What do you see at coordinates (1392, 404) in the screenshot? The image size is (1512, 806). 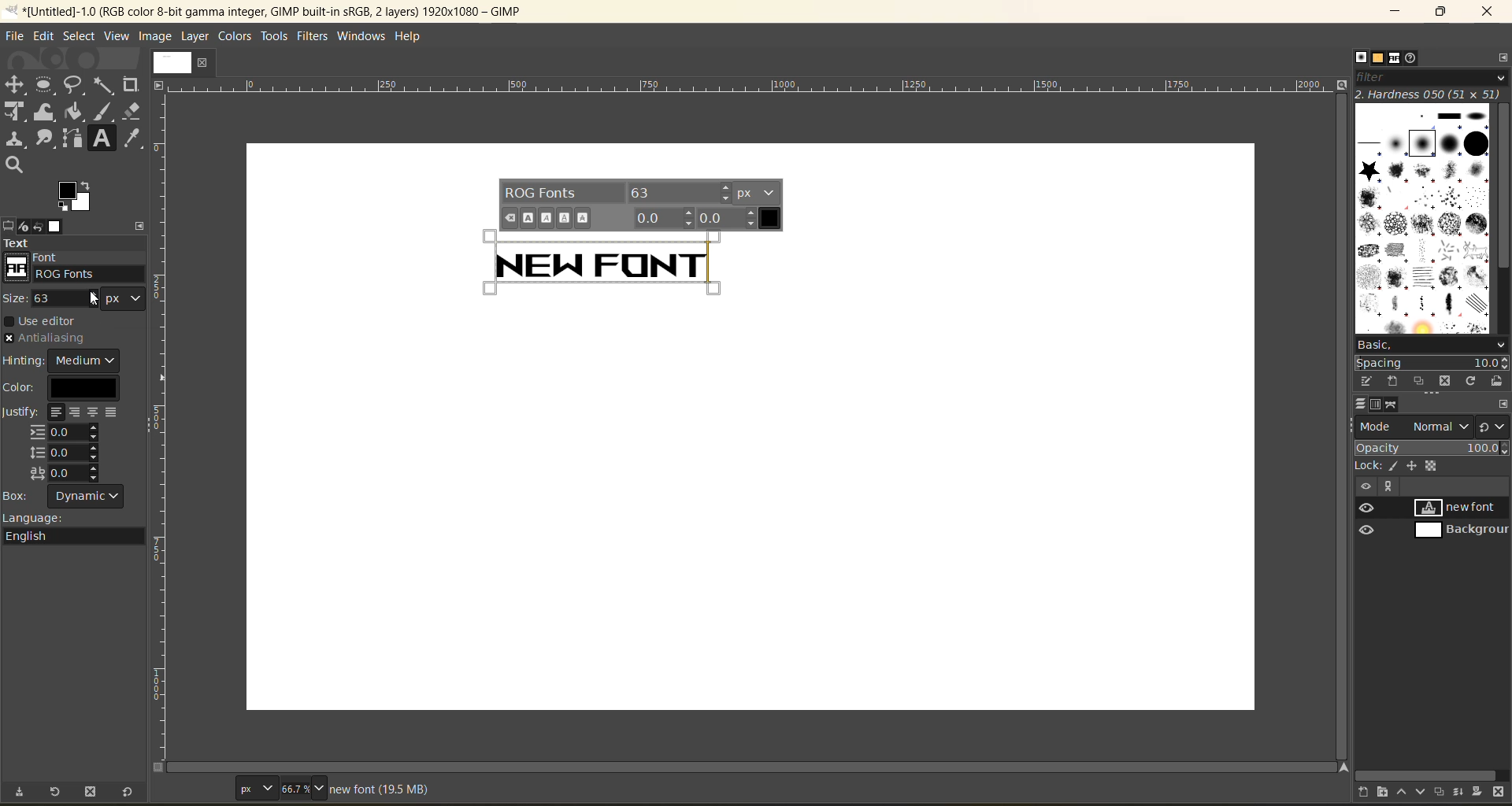 I see `paths` at bounding box center [1392, 404].